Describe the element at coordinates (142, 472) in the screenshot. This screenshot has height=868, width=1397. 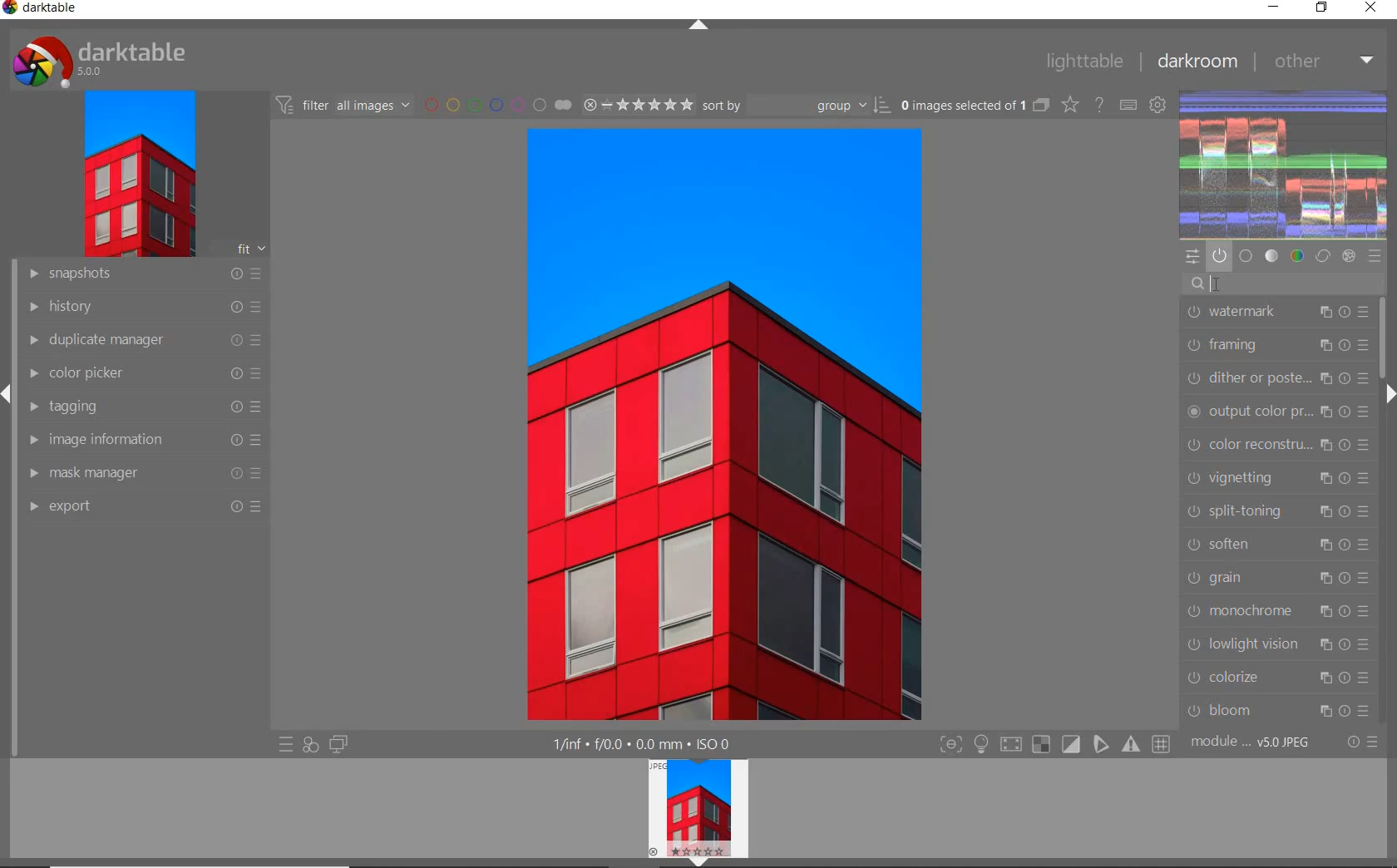
I see `mask manager` at that location.